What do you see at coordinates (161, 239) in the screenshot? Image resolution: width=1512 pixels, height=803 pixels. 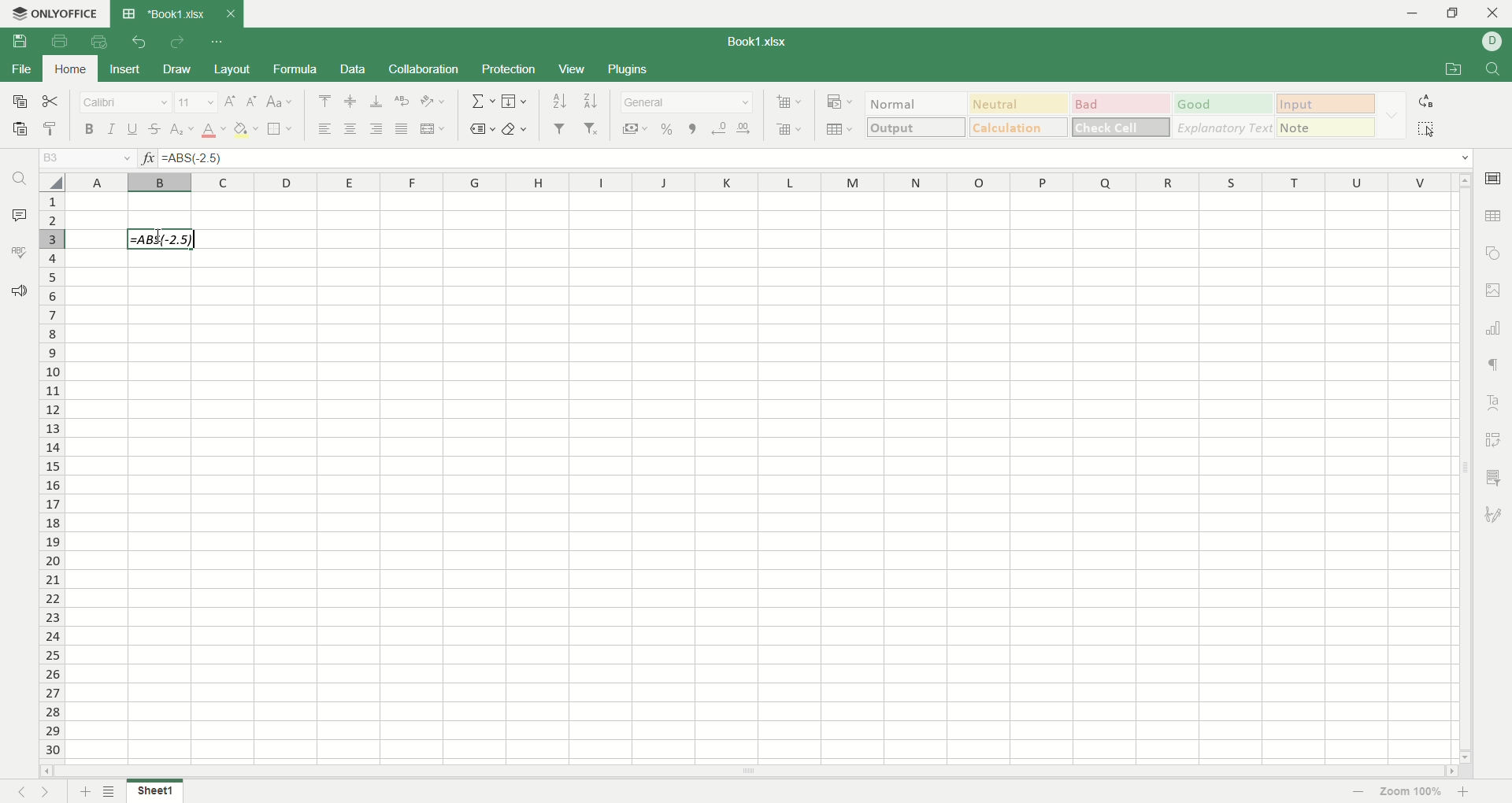 I see `formula input` at bounding box center [161, 239].